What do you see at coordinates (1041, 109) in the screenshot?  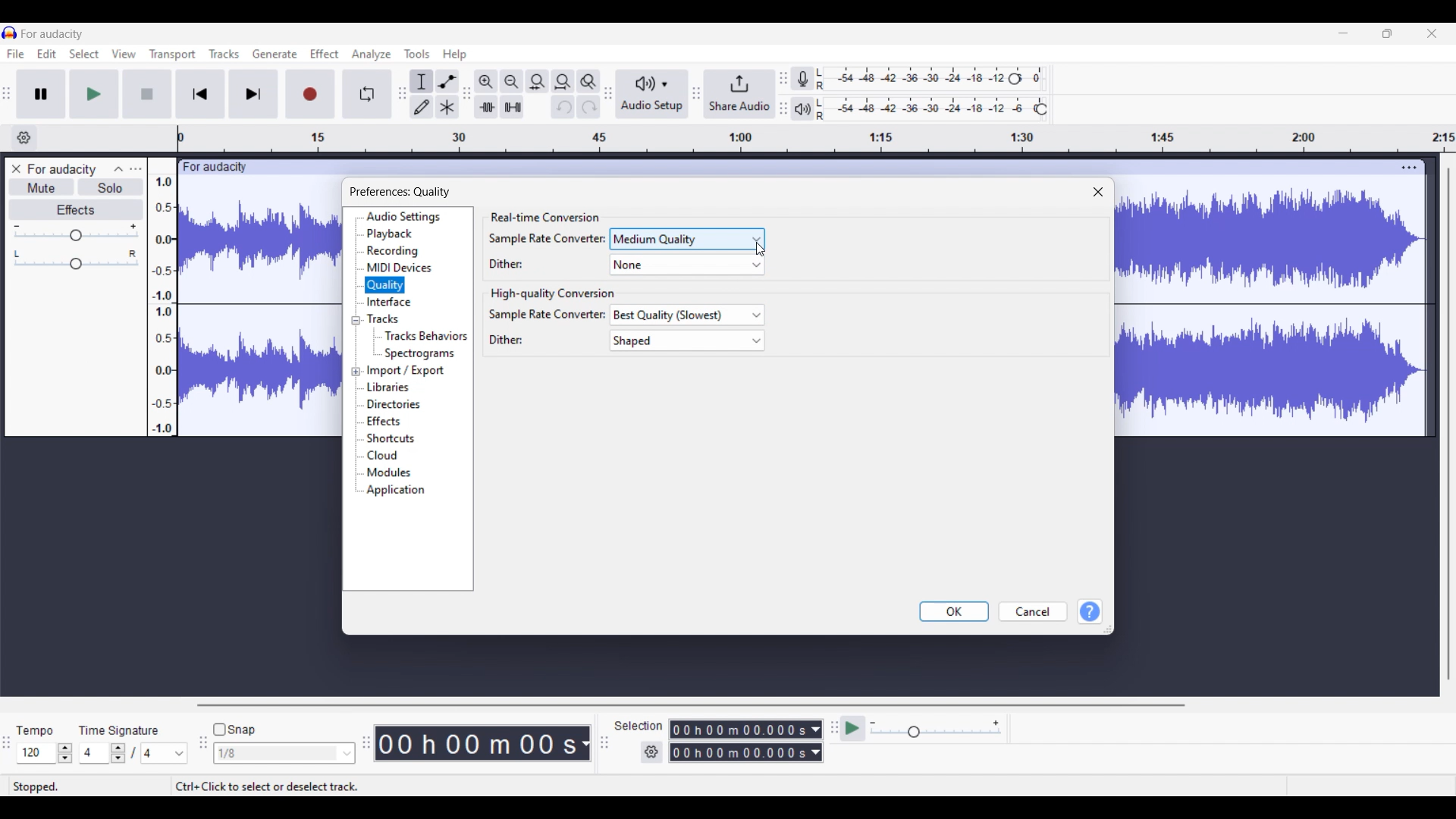 I see `Header to change Playback level` at bounding box center [1041, 109].